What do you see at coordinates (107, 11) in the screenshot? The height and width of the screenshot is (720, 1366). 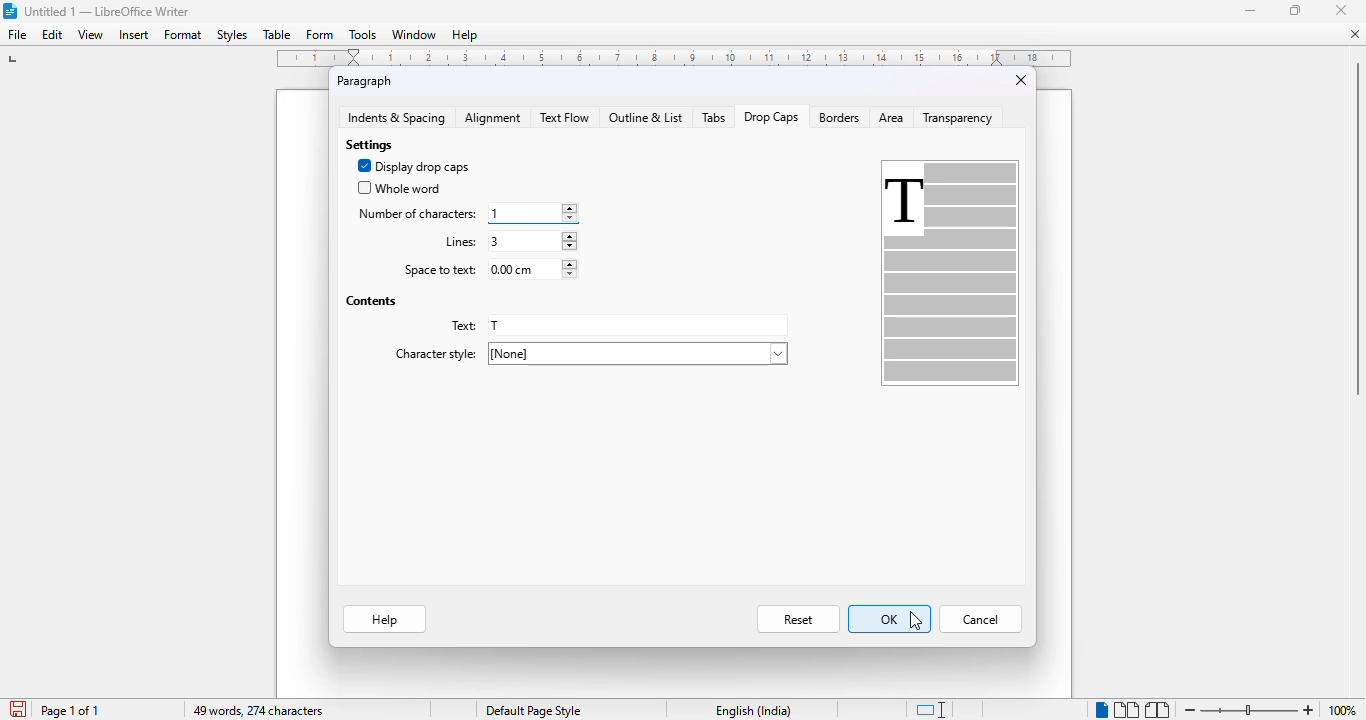 I see `title` at bounding box center [107, 11].